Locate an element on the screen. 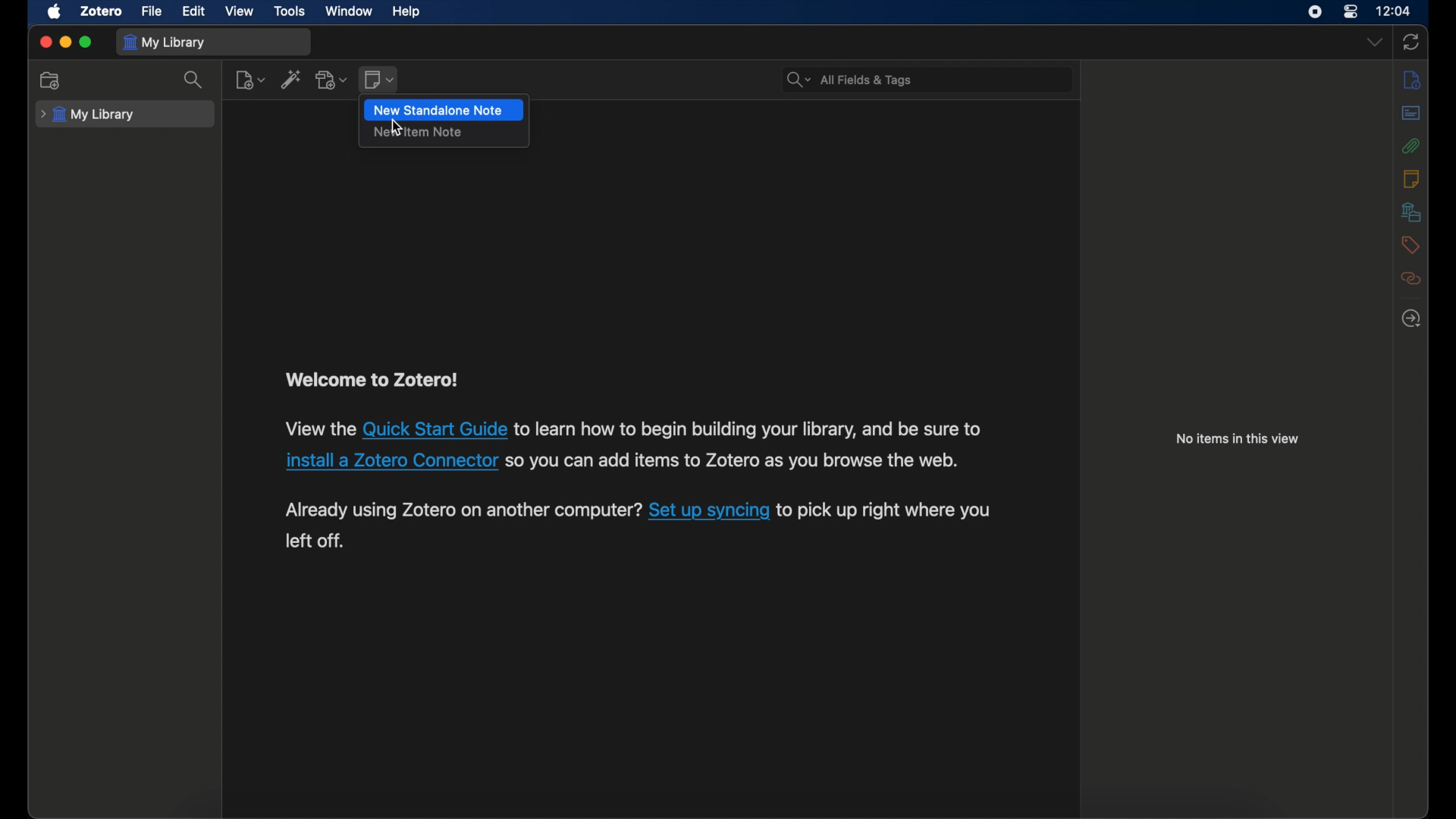  file is located at coordinates (152, 11).